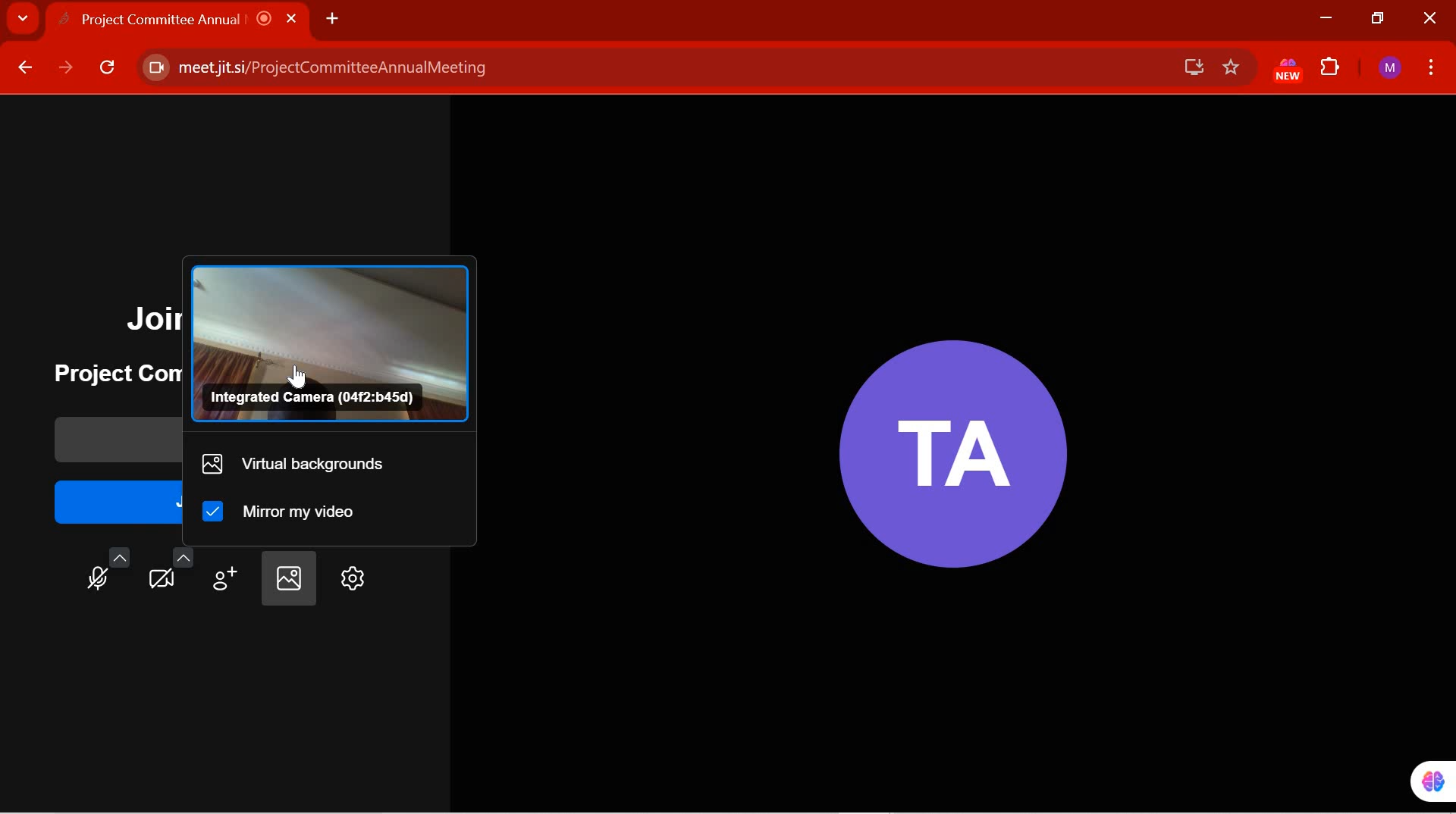 This screenshot has width=1456, height=814. What do you see at coordinates (287, 579) in the screenshot?
I see `select background` at bounding box center [287, 579].